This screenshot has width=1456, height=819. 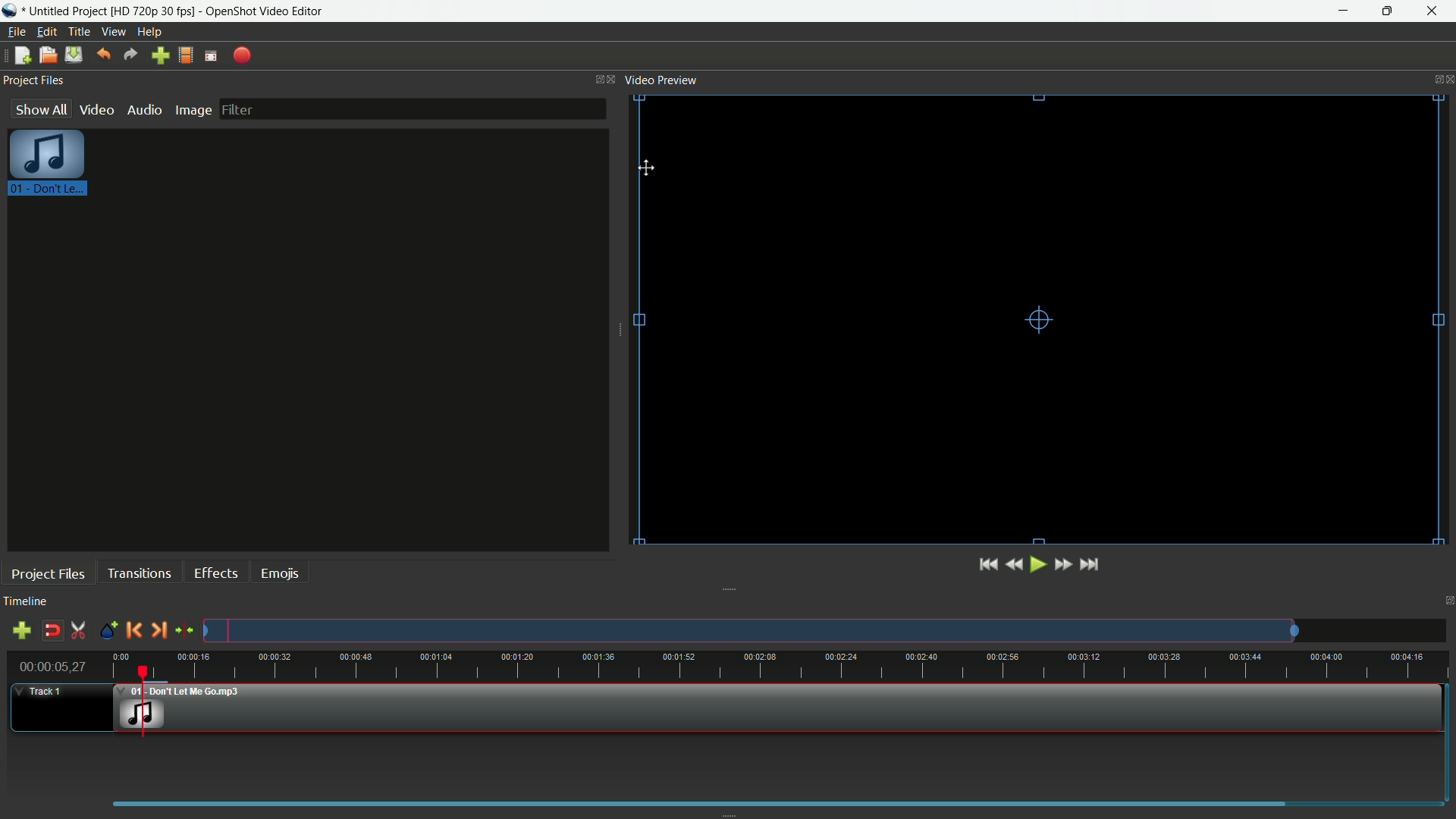 What do you see at coordinates (187, 56) in the screenshot?
I see `profile` at bounding box center [187, 56].